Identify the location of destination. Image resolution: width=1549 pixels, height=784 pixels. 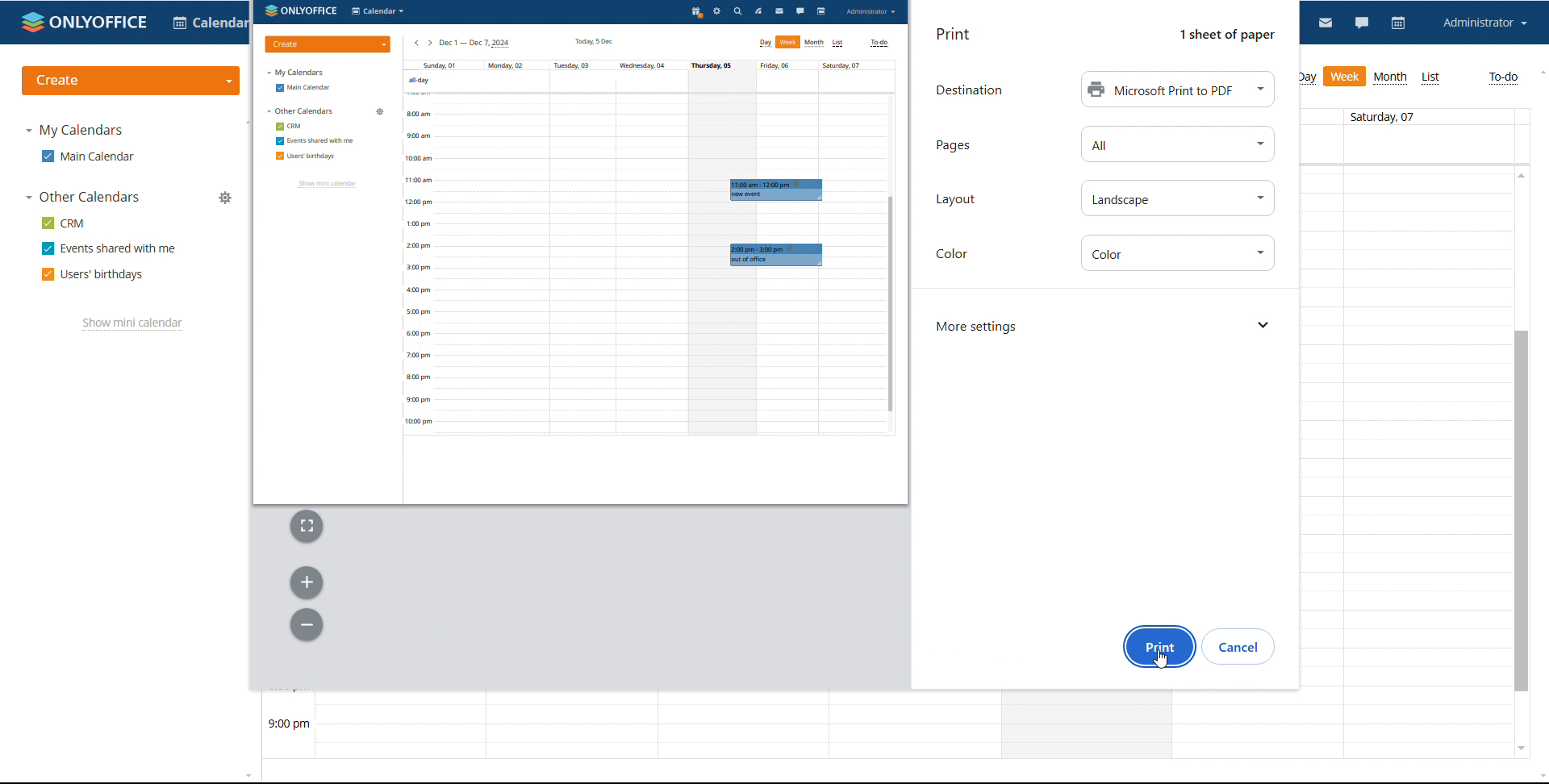
(1179, 89).